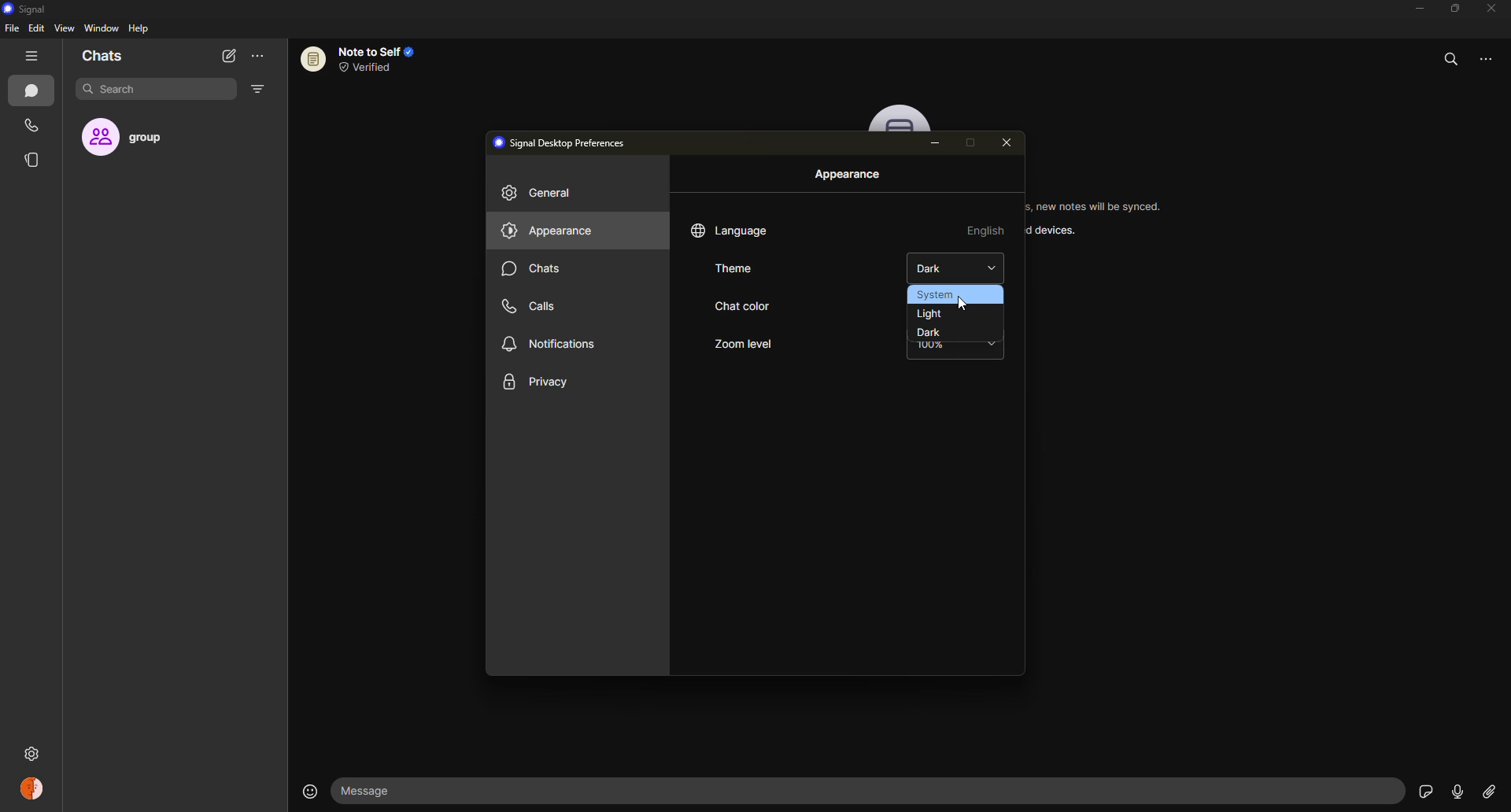 The width and height of the screenshot is (1511, 812). What do you see at coordinates (564, 142) in the screenshot?
I see `desktop preferences` at bounding box center [564, 142].